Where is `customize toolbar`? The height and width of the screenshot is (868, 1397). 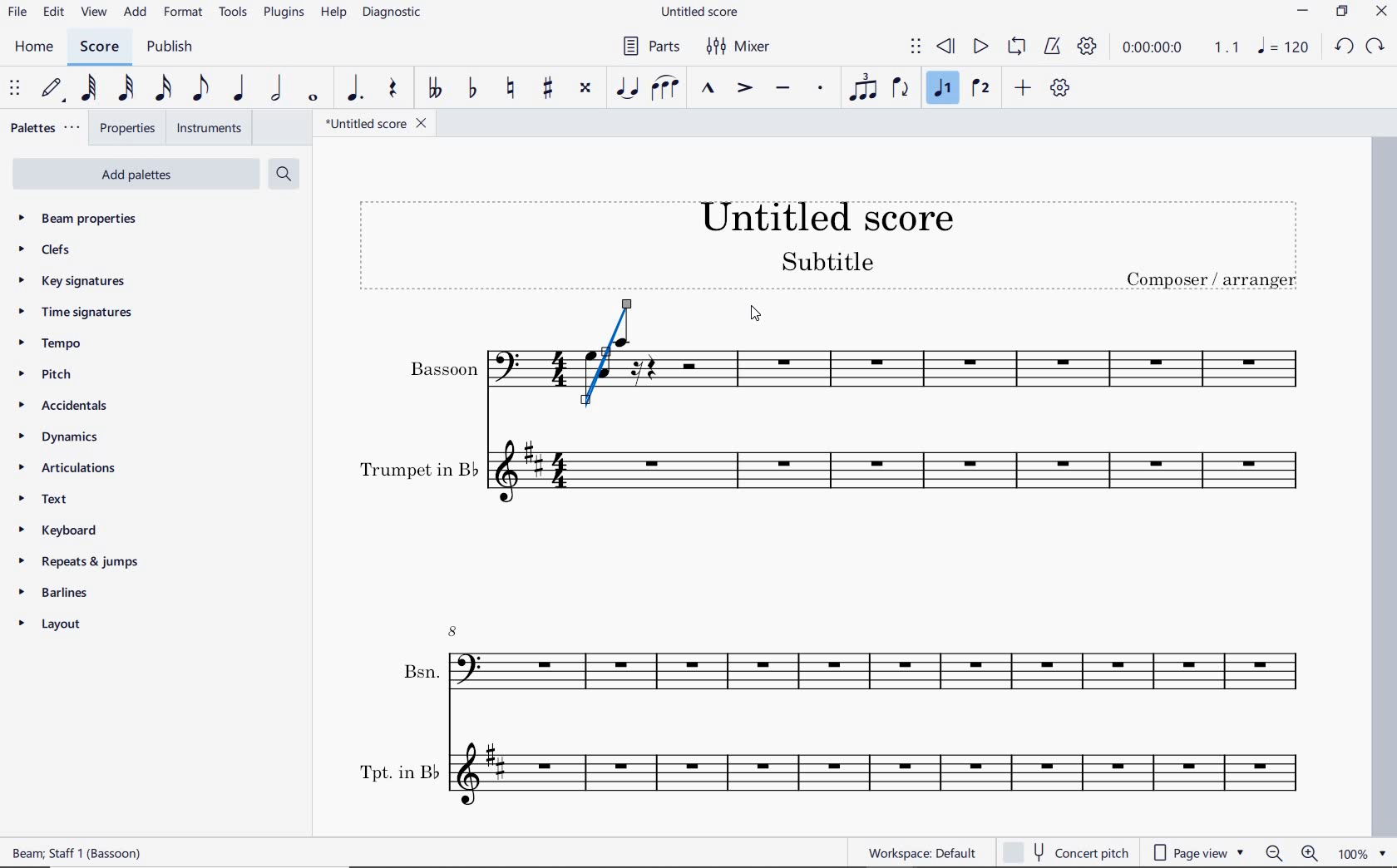
customize toolbar is located at coordinates (1060, 89).